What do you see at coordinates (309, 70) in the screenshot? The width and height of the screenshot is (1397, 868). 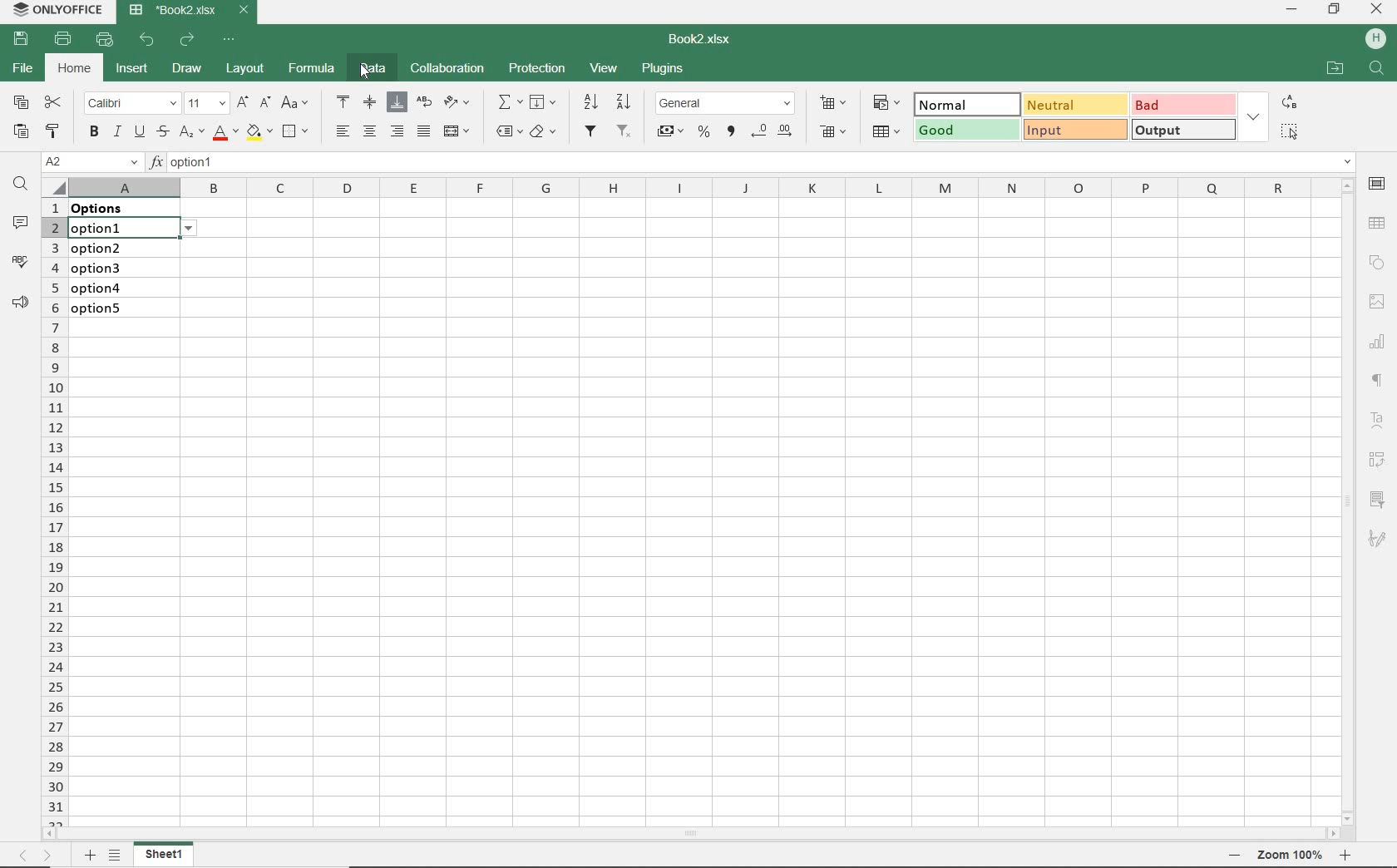 I see `FORMULA` at bounding box center [309, 70].